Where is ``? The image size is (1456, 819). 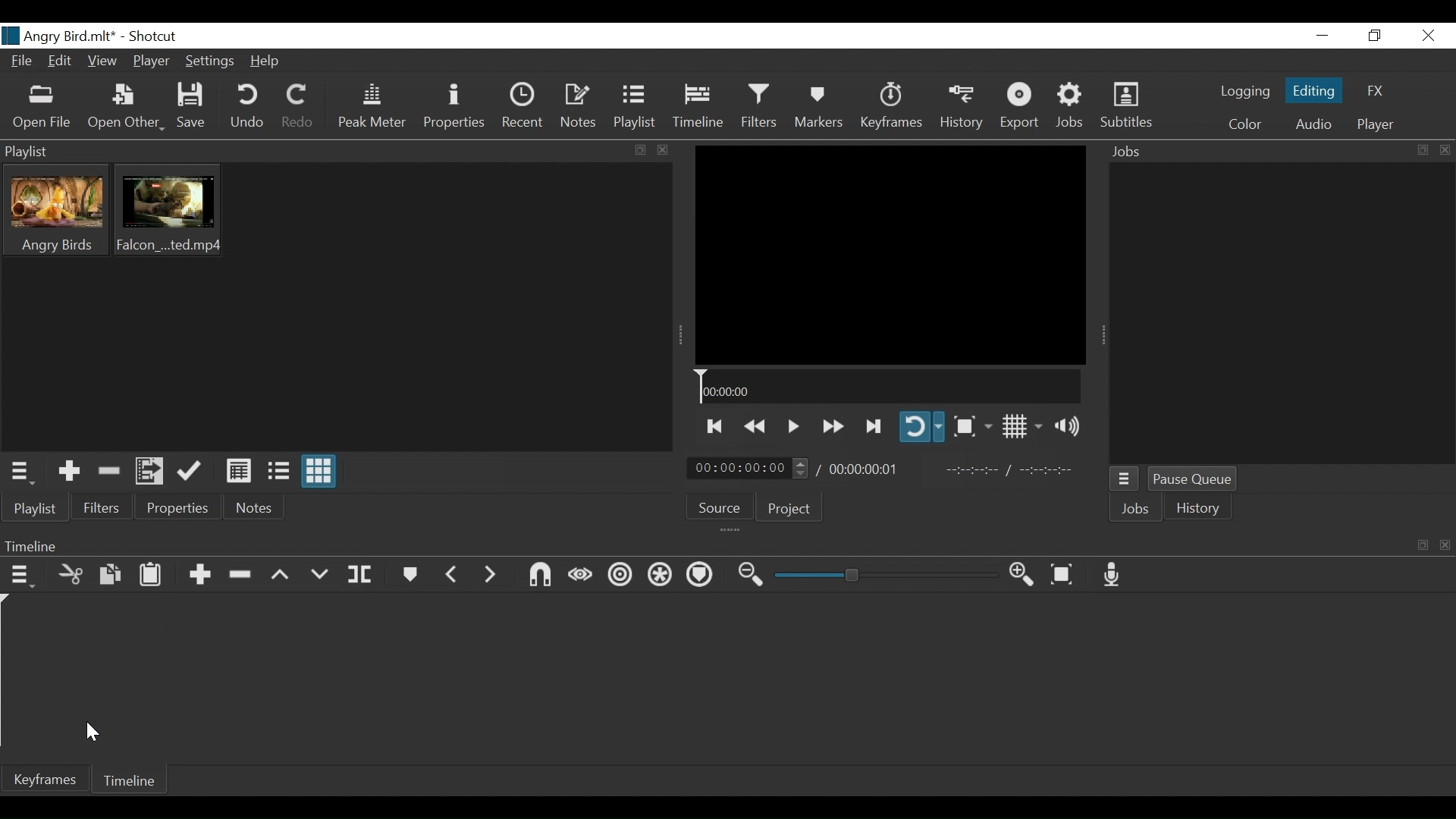  is located at coordinates (818, 108).